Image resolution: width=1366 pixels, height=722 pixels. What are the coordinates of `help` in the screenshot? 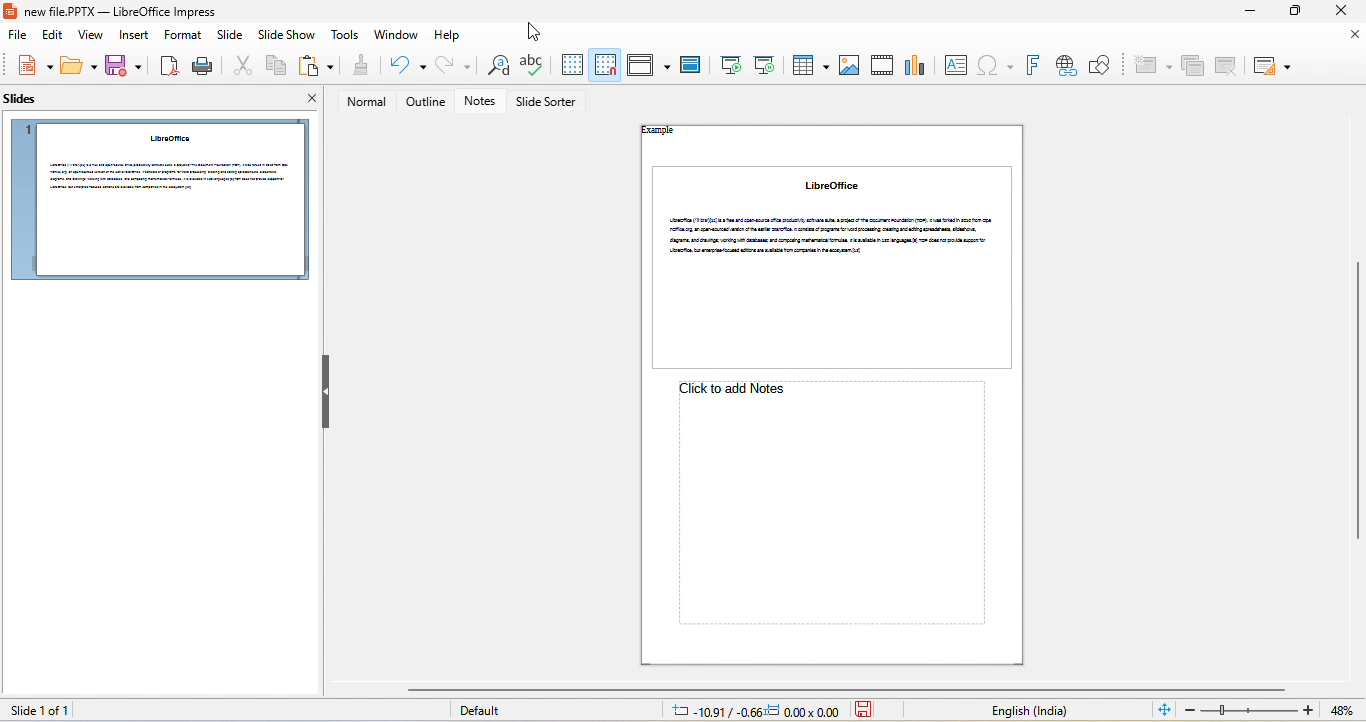 It's located at (449, 36).